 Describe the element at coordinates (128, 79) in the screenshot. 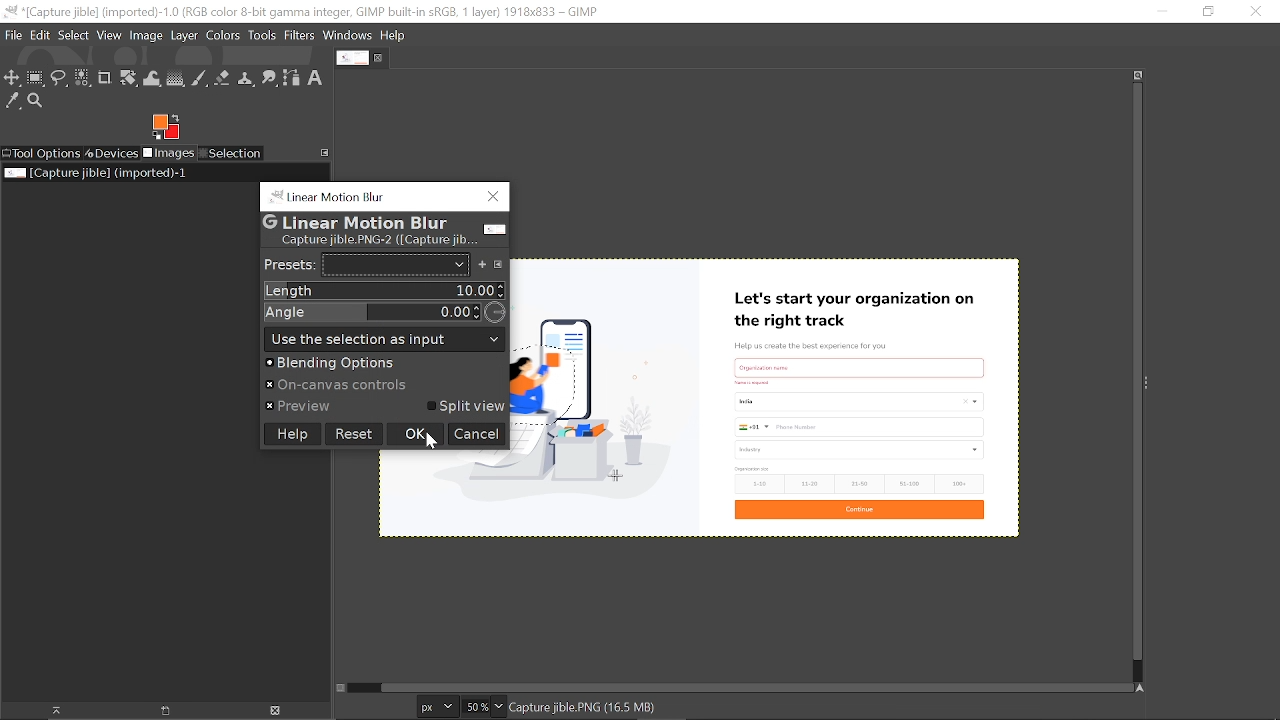

I see `Unified transform tool` at that location.